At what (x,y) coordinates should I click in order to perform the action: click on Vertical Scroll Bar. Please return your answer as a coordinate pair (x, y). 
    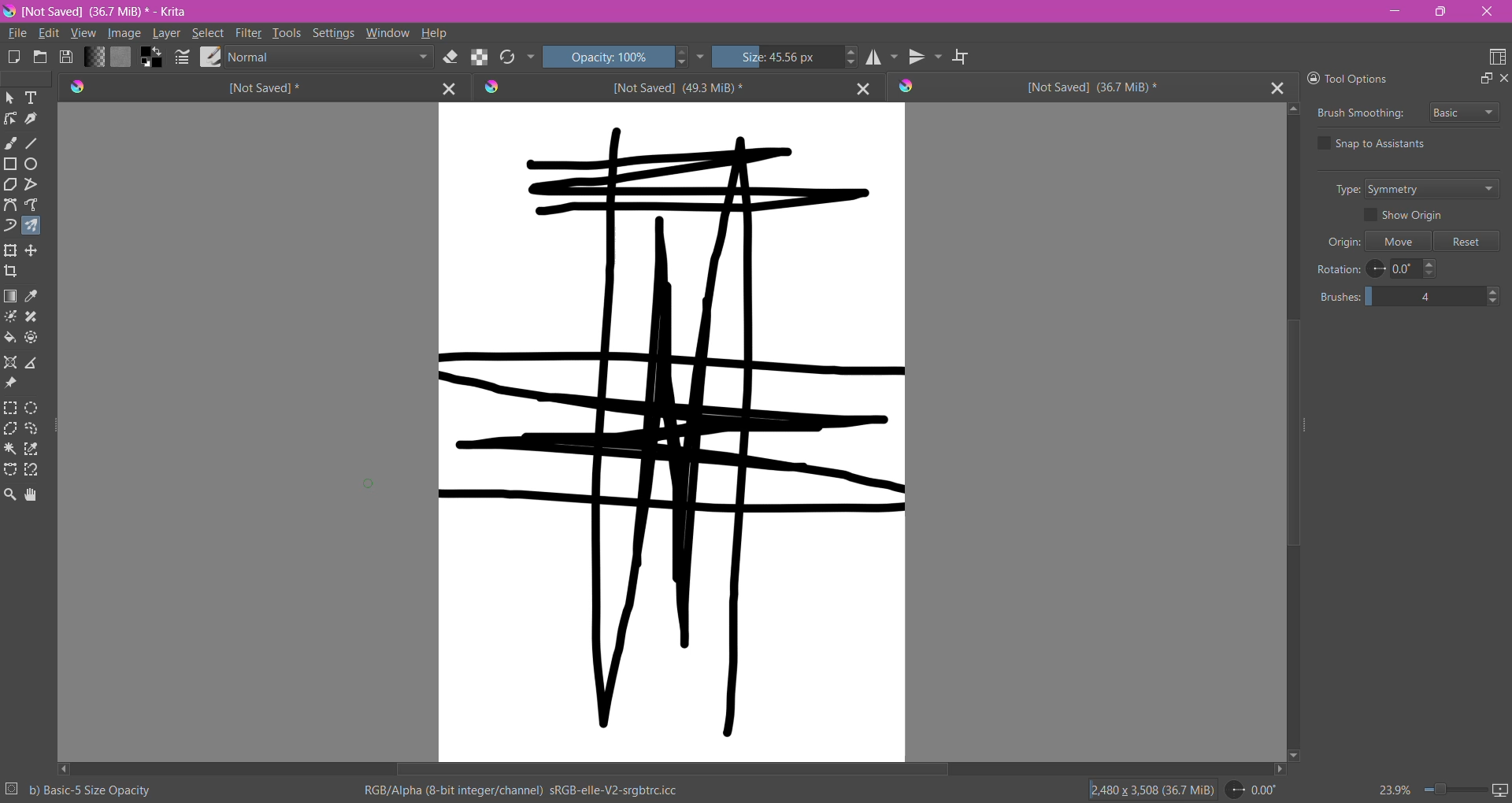
    Looking at the image, I should click on (1295, 432).